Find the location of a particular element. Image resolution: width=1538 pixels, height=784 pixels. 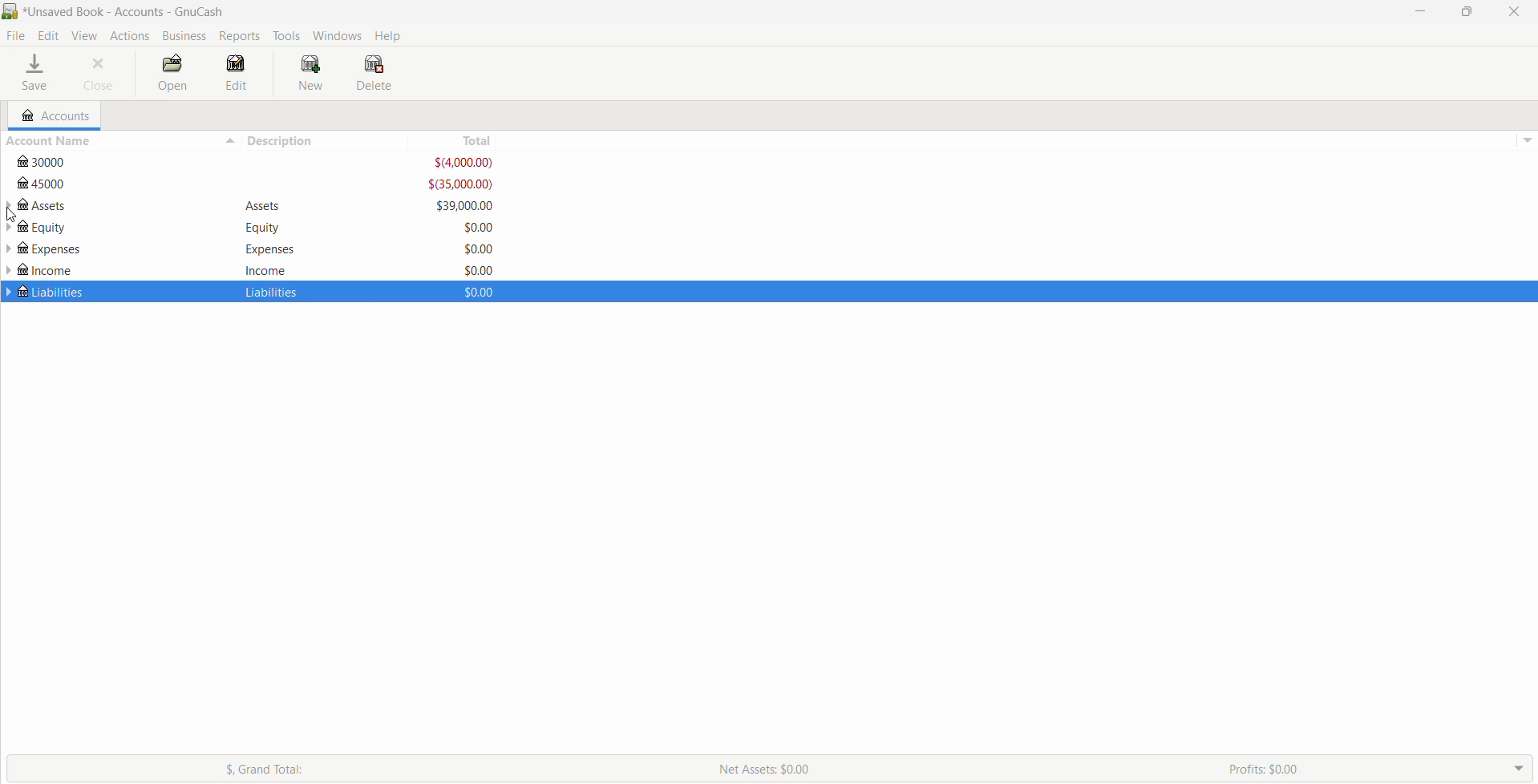

Net Assets is located at coordinates (941, 770).